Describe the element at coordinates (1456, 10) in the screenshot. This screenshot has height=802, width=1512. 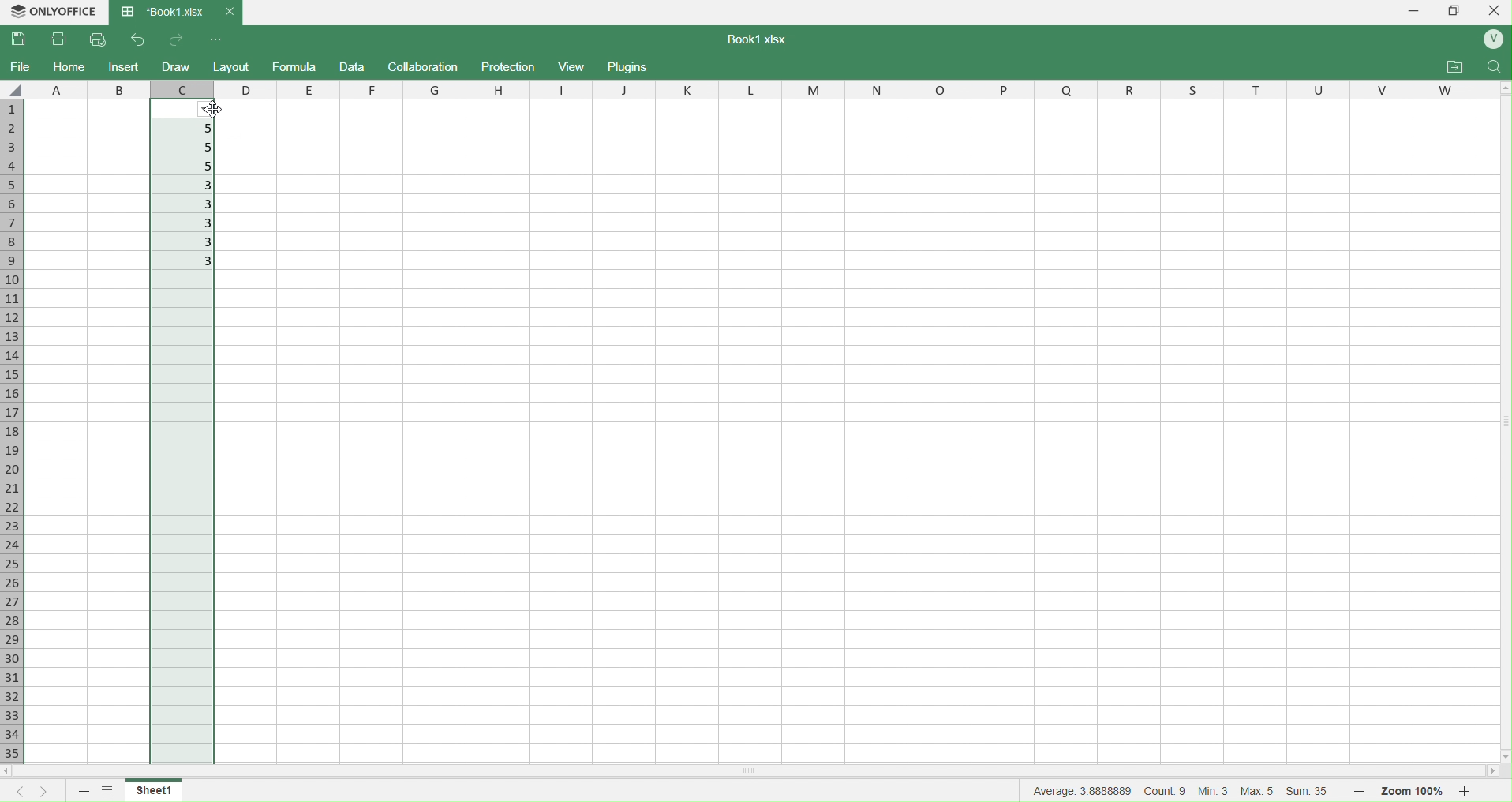
I see `Box` at that location.